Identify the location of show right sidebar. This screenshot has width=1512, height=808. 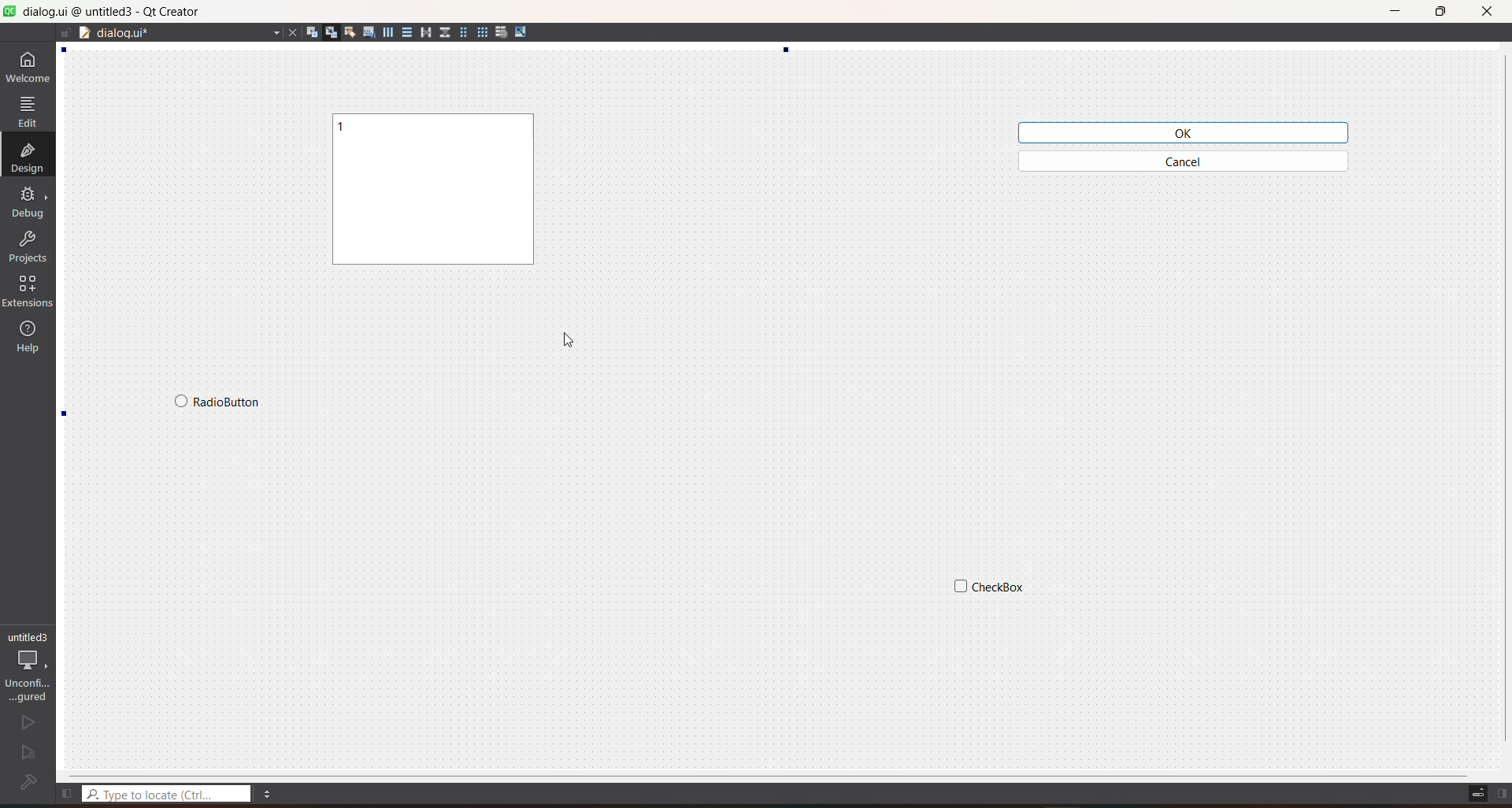
(1503, 793).